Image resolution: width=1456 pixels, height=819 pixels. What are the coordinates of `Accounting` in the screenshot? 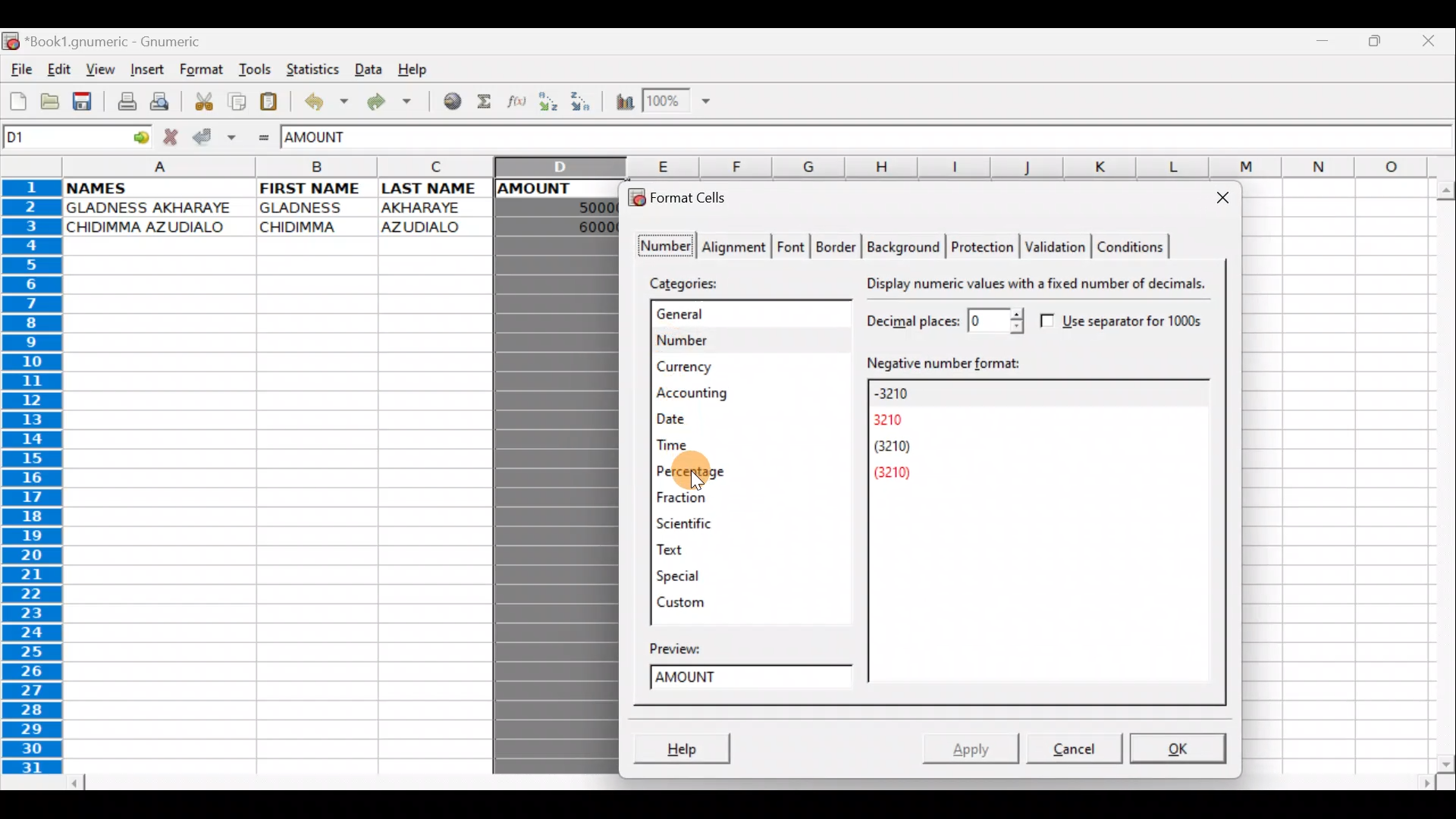 It's located at (723, 393).